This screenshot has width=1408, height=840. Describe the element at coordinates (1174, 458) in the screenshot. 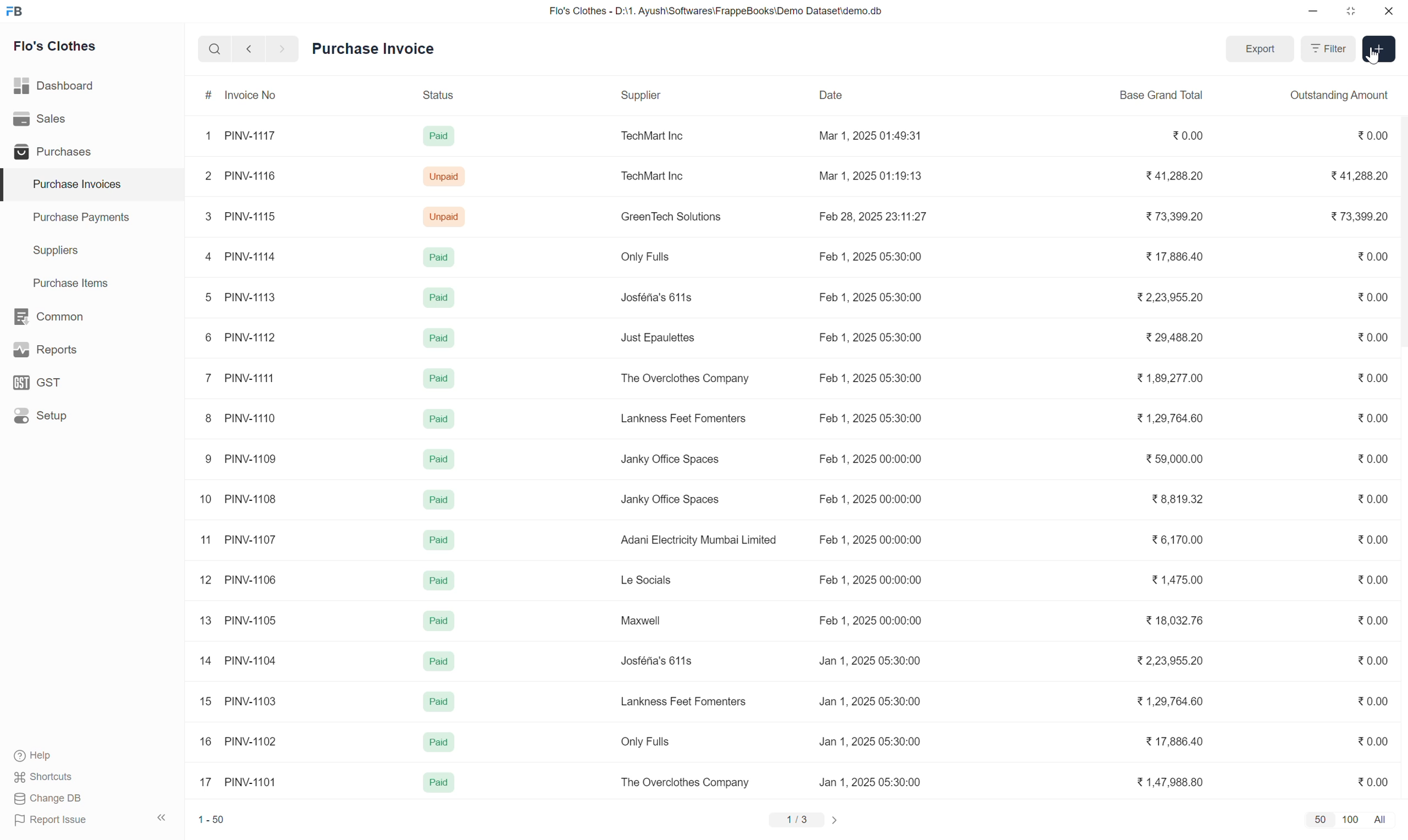

I see `59,000.00` at that location.